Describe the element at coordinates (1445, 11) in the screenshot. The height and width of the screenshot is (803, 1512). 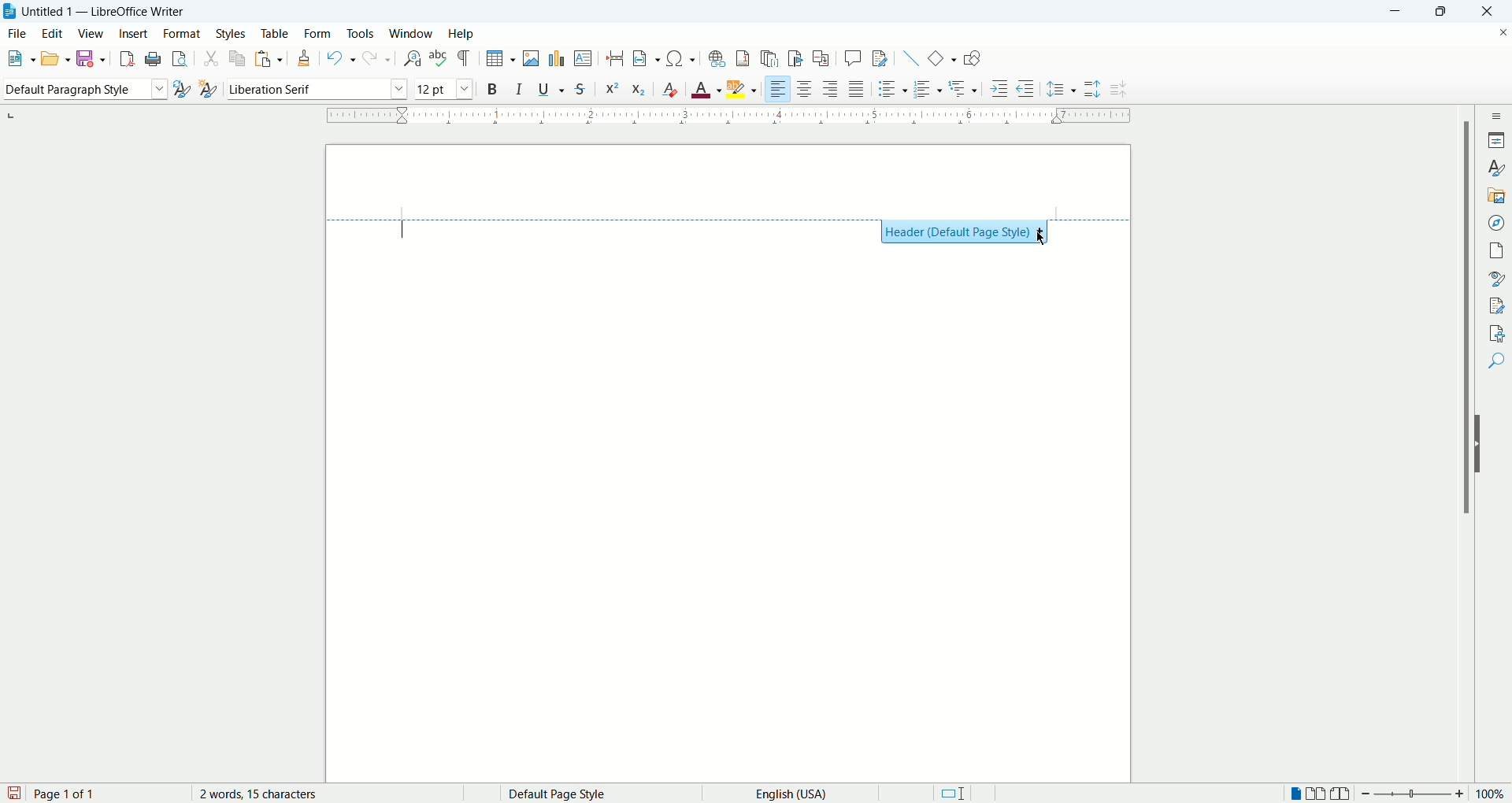
I see `maximize` at that location.